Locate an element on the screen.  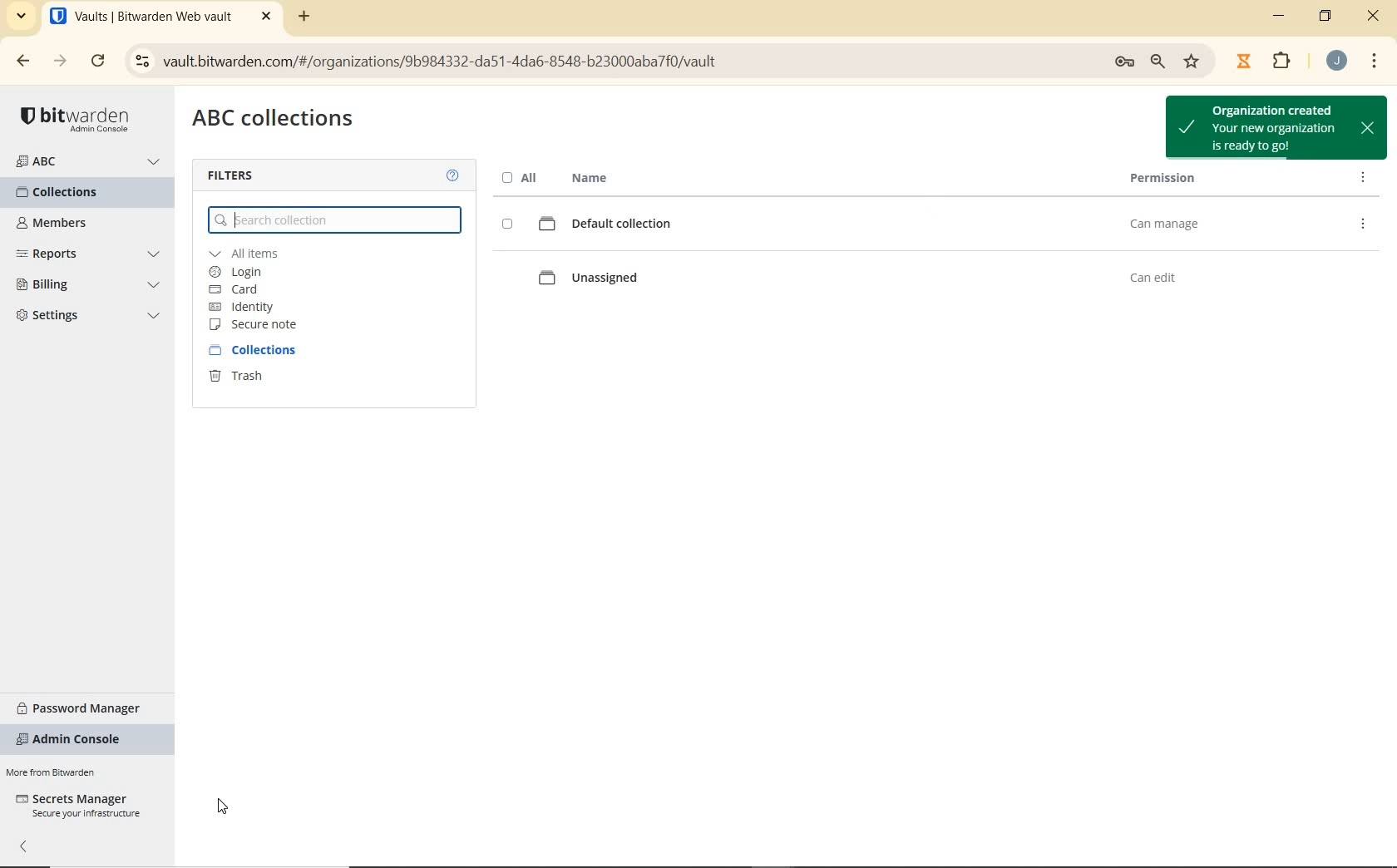
 is located at coordinates (57, 772).